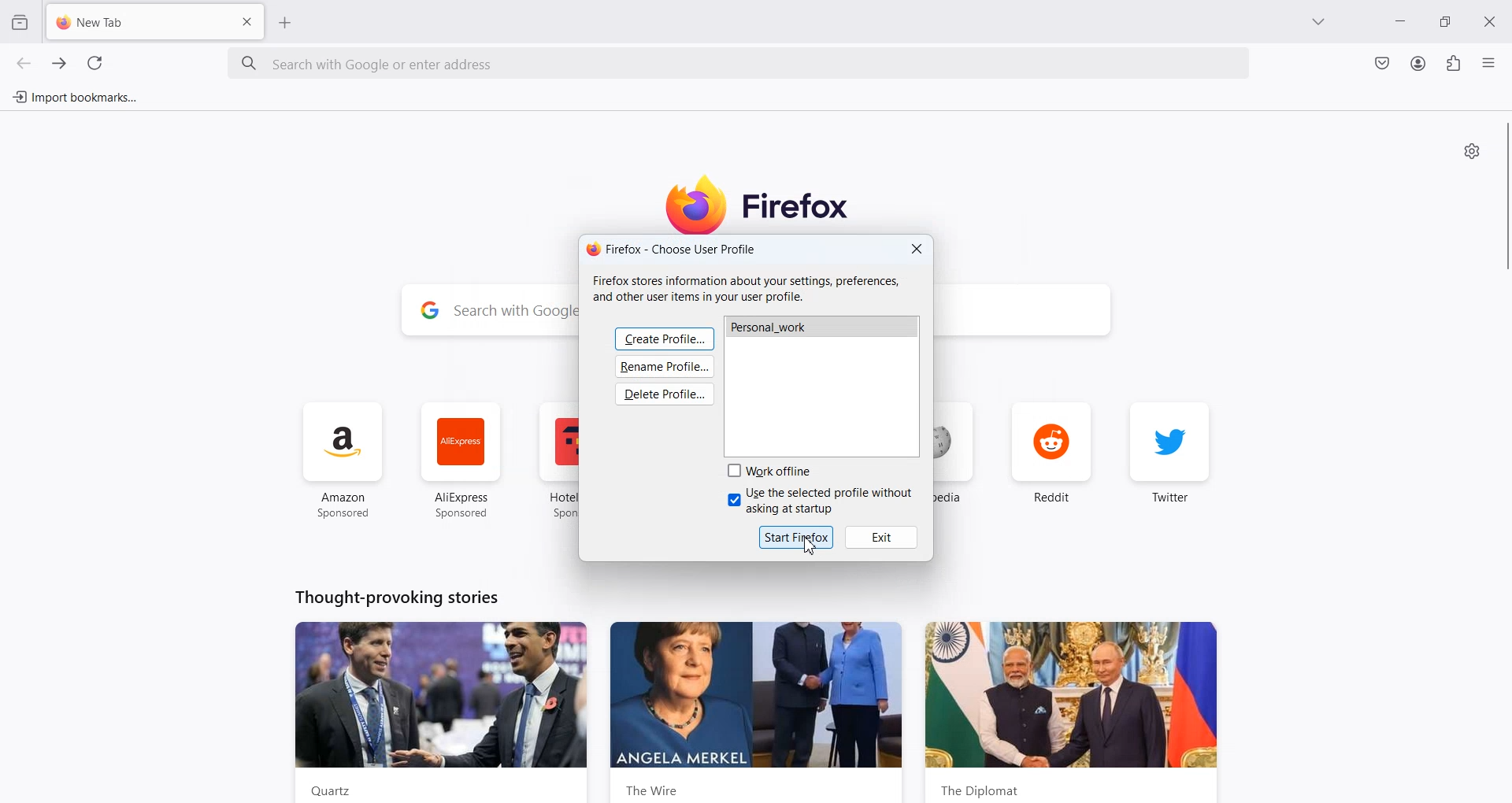 The height and width of the screenshot is (803, 1512). I want to click on the wire, so click(758, 712).